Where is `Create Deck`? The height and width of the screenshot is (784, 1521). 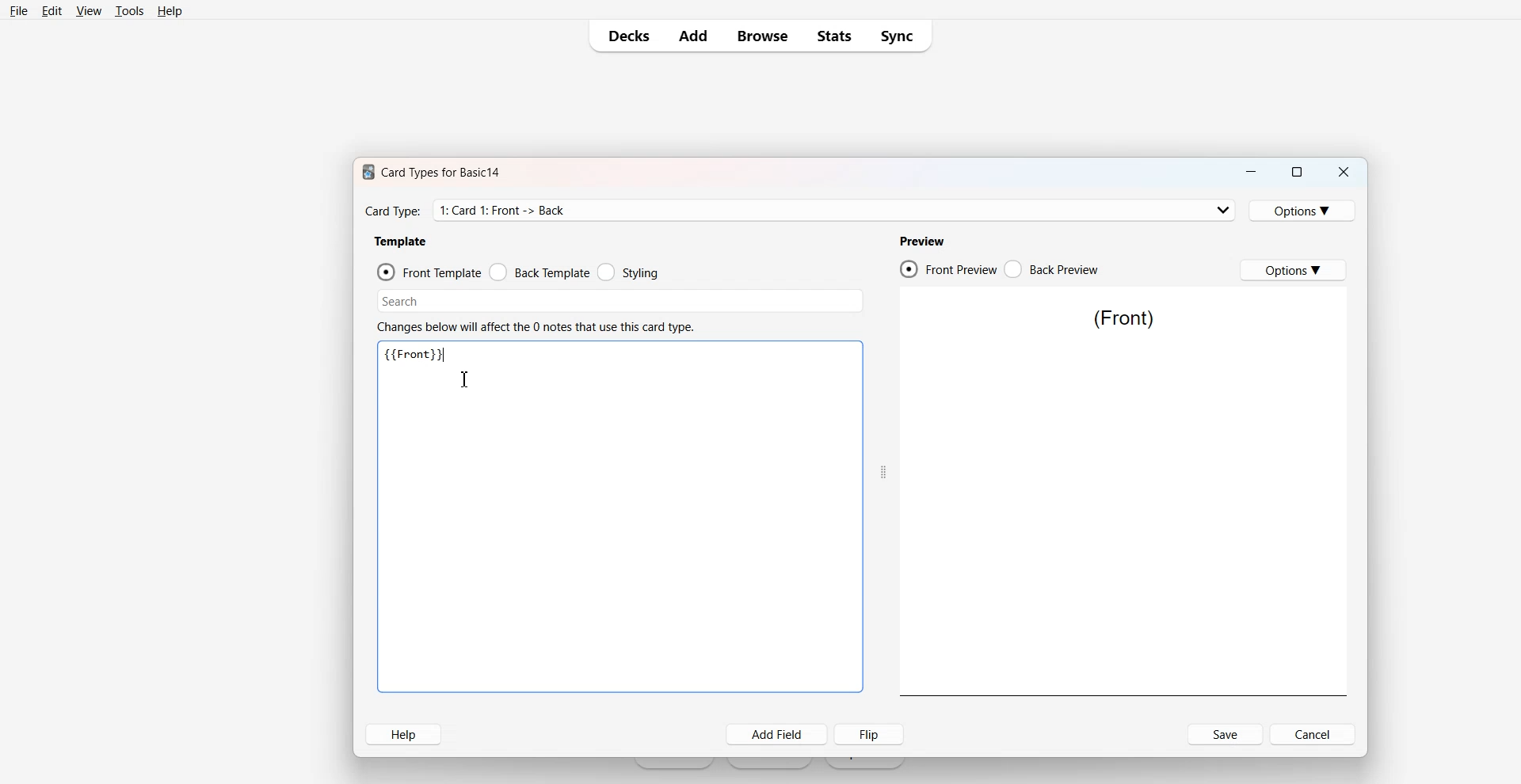 Create Deck is located at coordinates (770, 764).